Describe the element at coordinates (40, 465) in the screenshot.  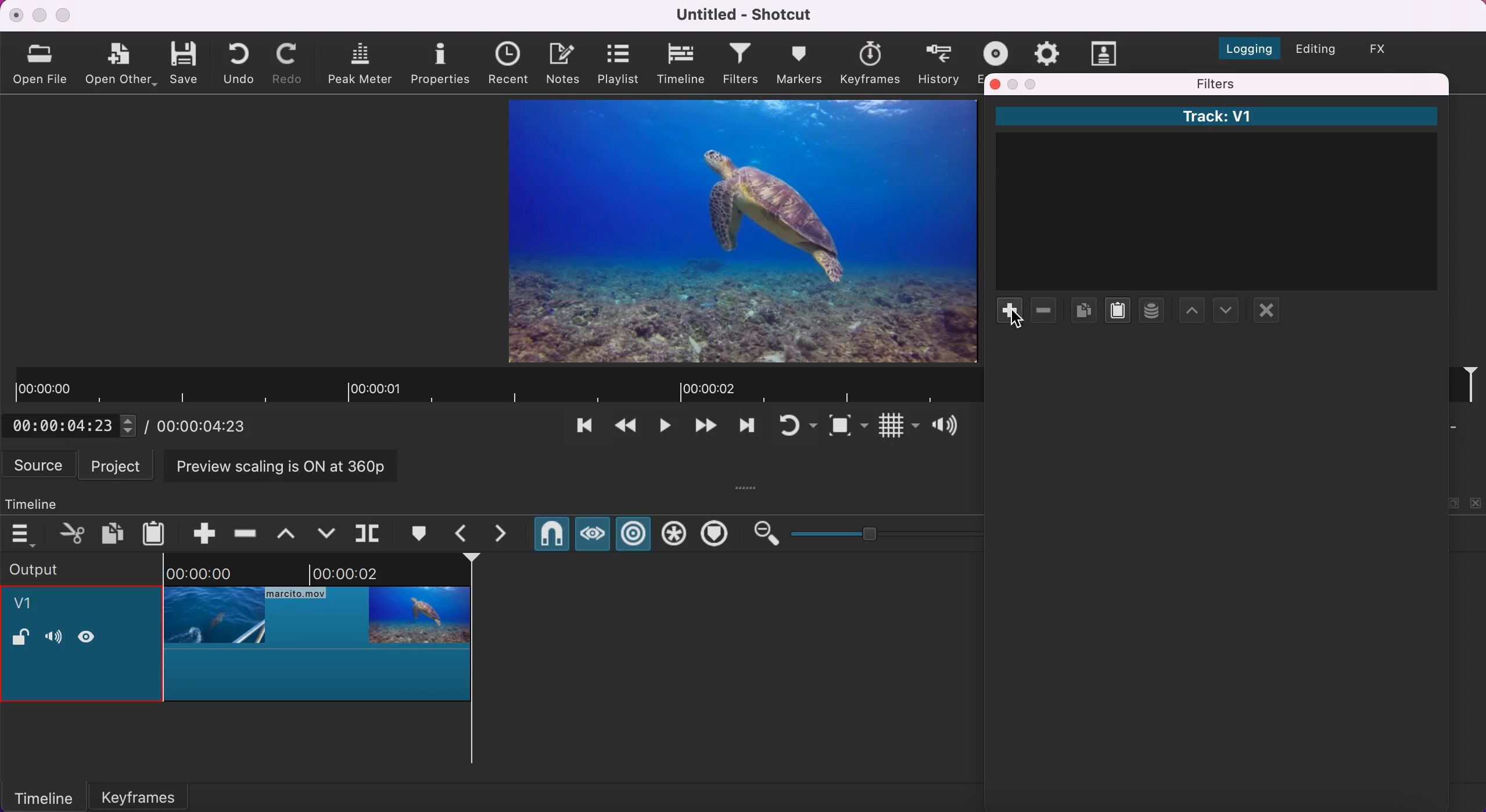
I see `source` at that location.